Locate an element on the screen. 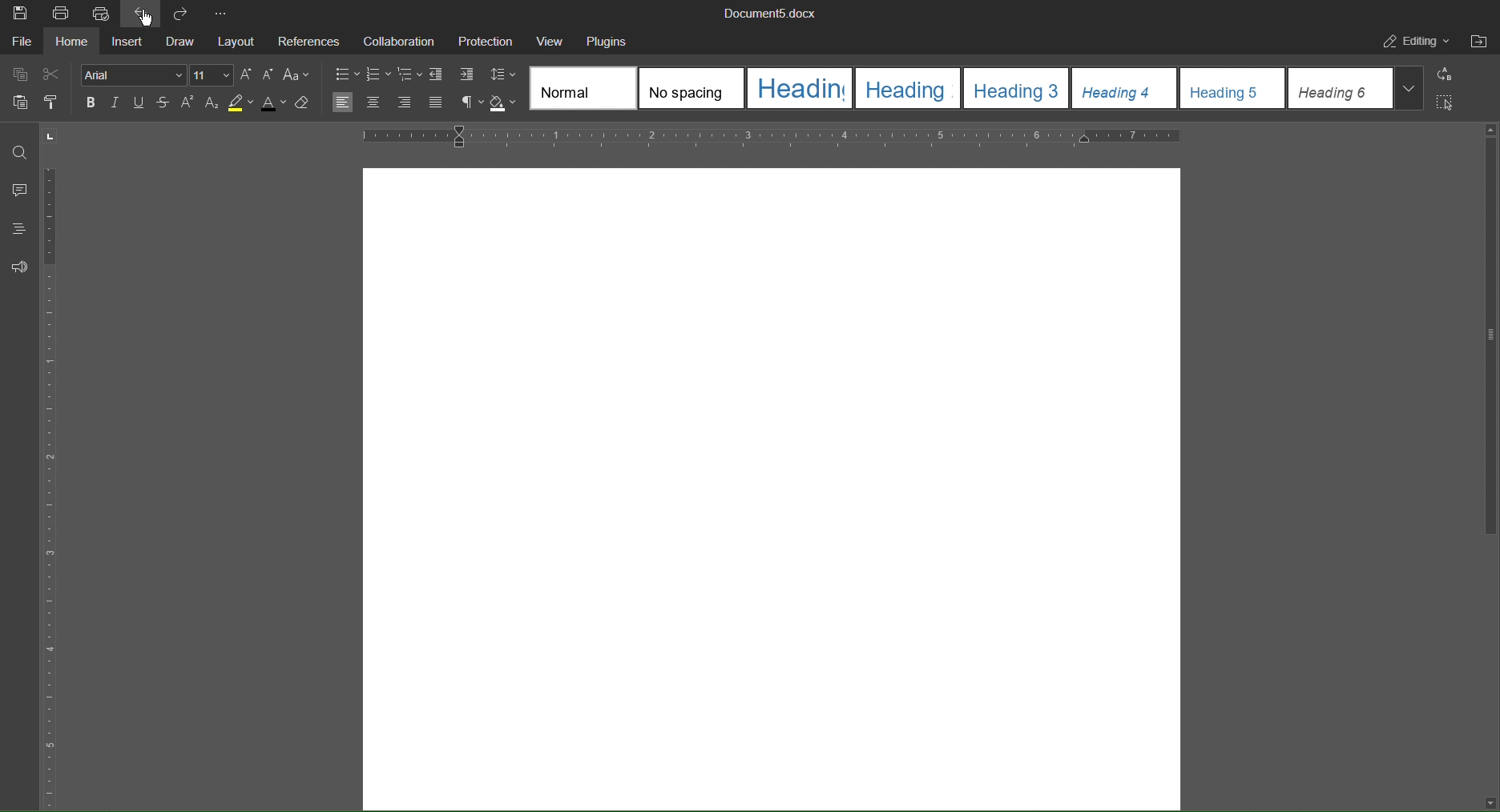 The width and height of the screenshot is (1500, 812). bullets is located at coordinates (344, 74).